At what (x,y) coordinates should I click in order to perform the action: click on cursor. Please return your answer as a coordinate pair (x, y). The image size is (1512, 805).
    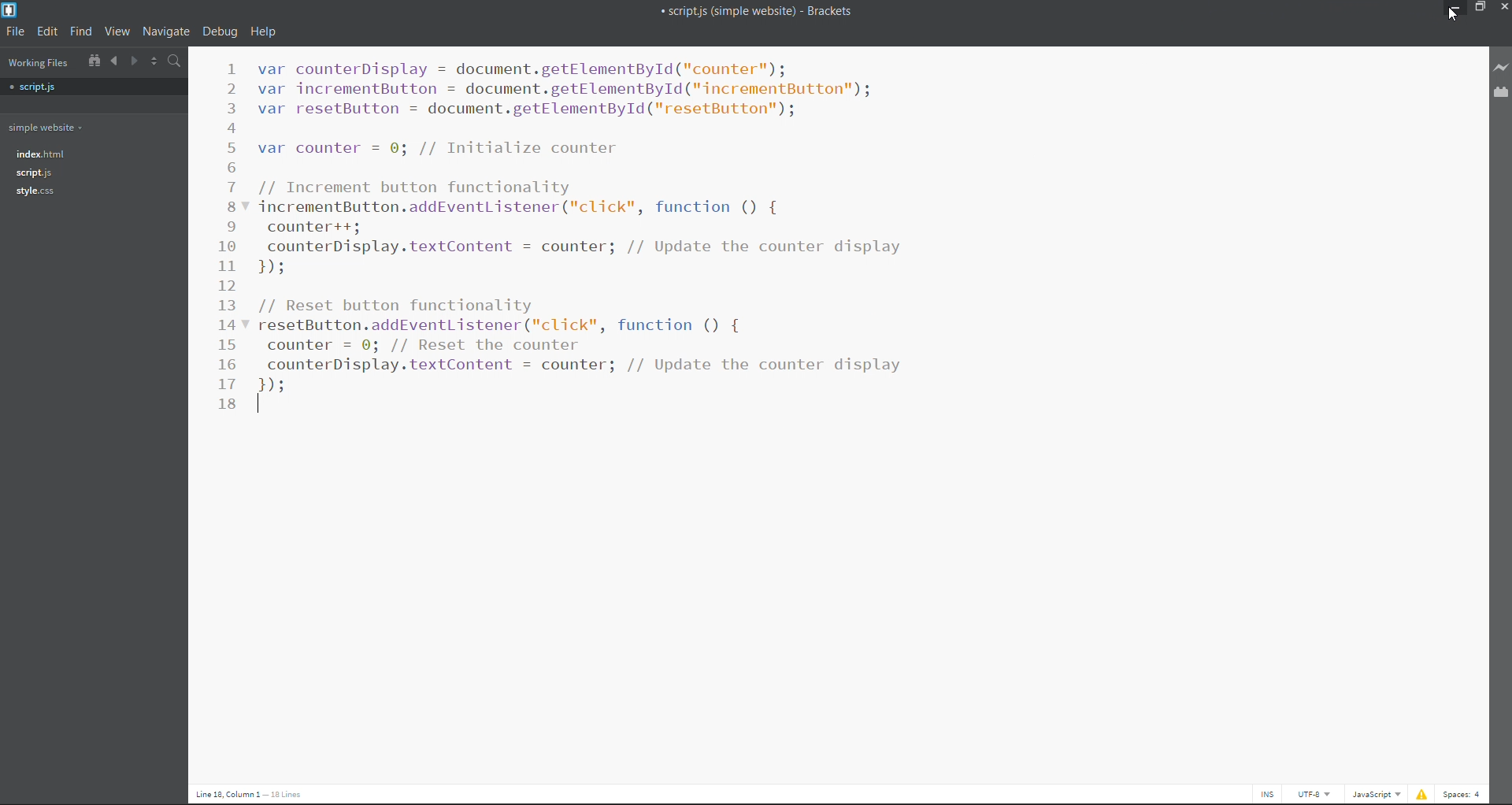
    Looking at the image, I should click on (1450, 16).